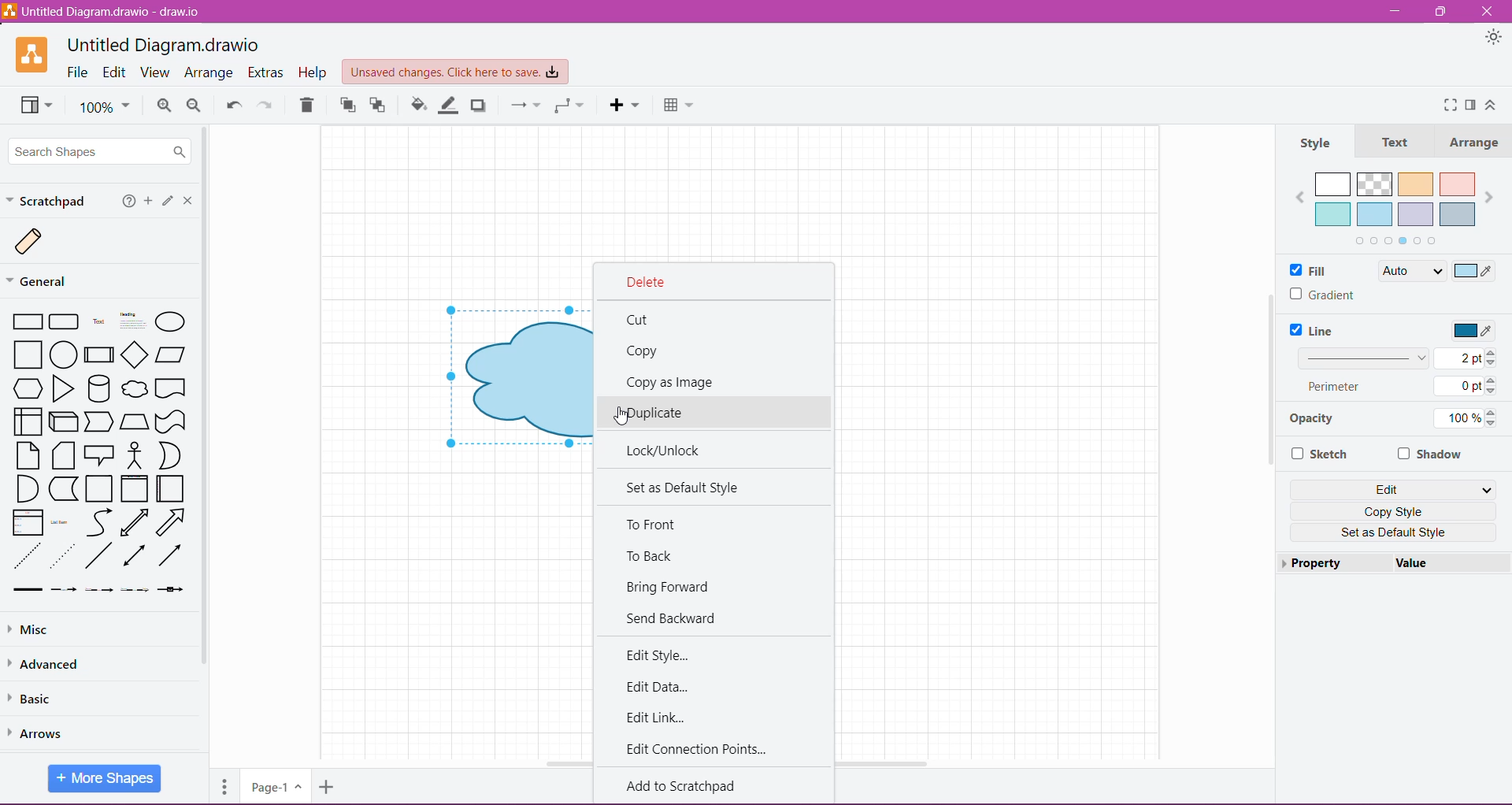 This screenshot has width=1512, height=805. Describe the element at coordinates (274, 787) in the screenshot. I see `Page-1` at that location.